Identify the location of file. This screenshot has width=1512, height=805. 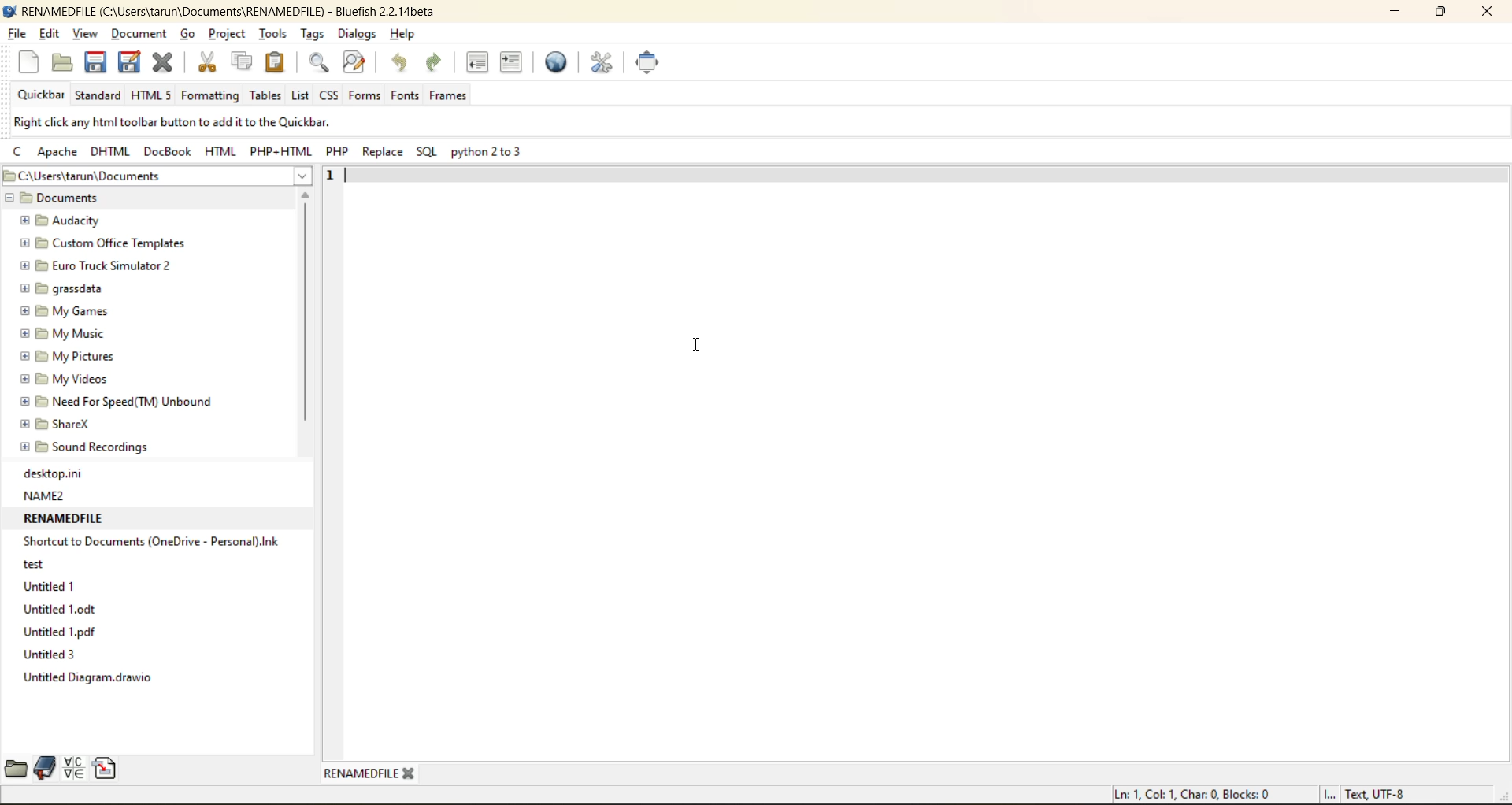
(20, 37).